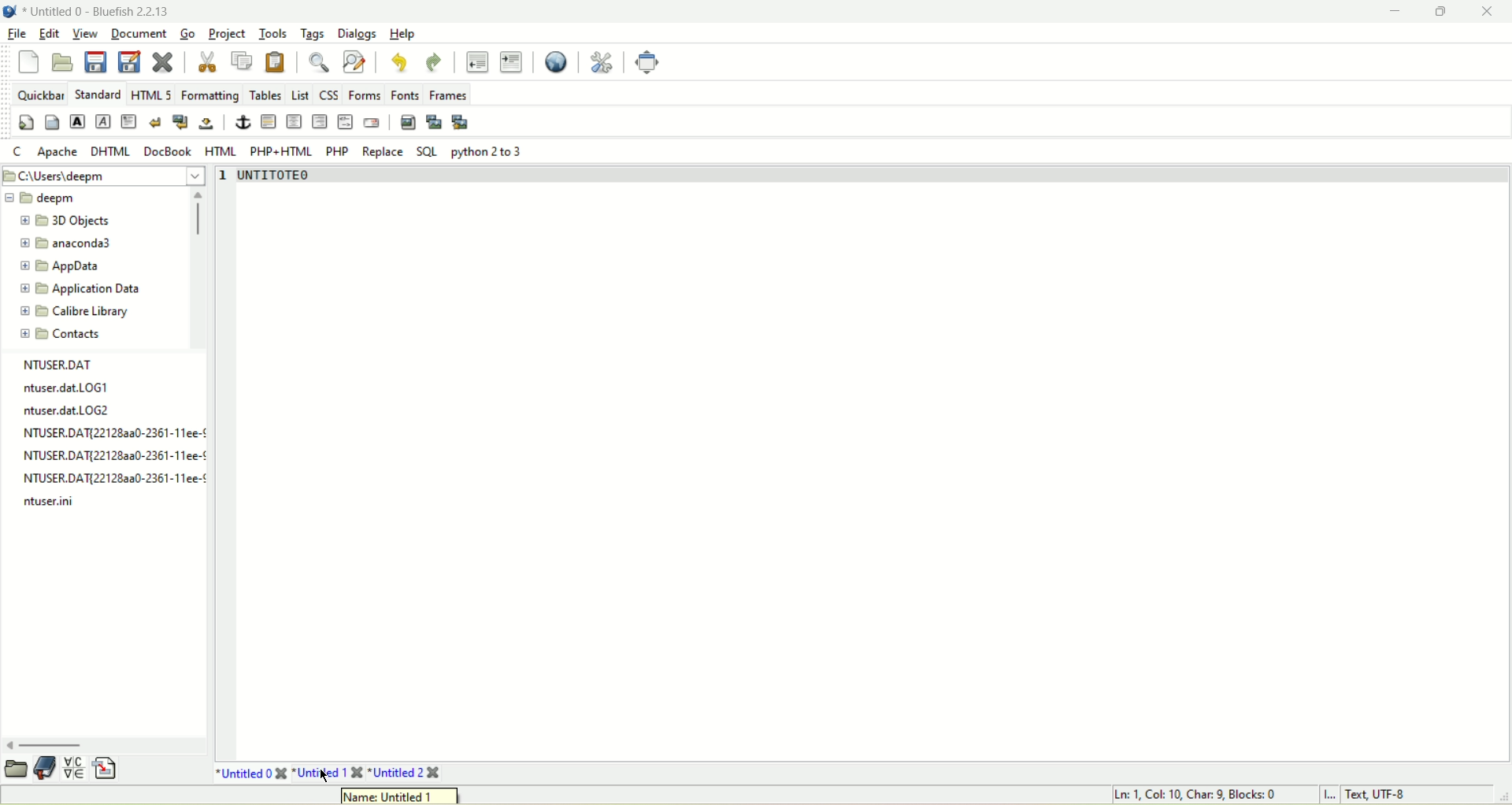  I want to click on email, so click(372, 121).